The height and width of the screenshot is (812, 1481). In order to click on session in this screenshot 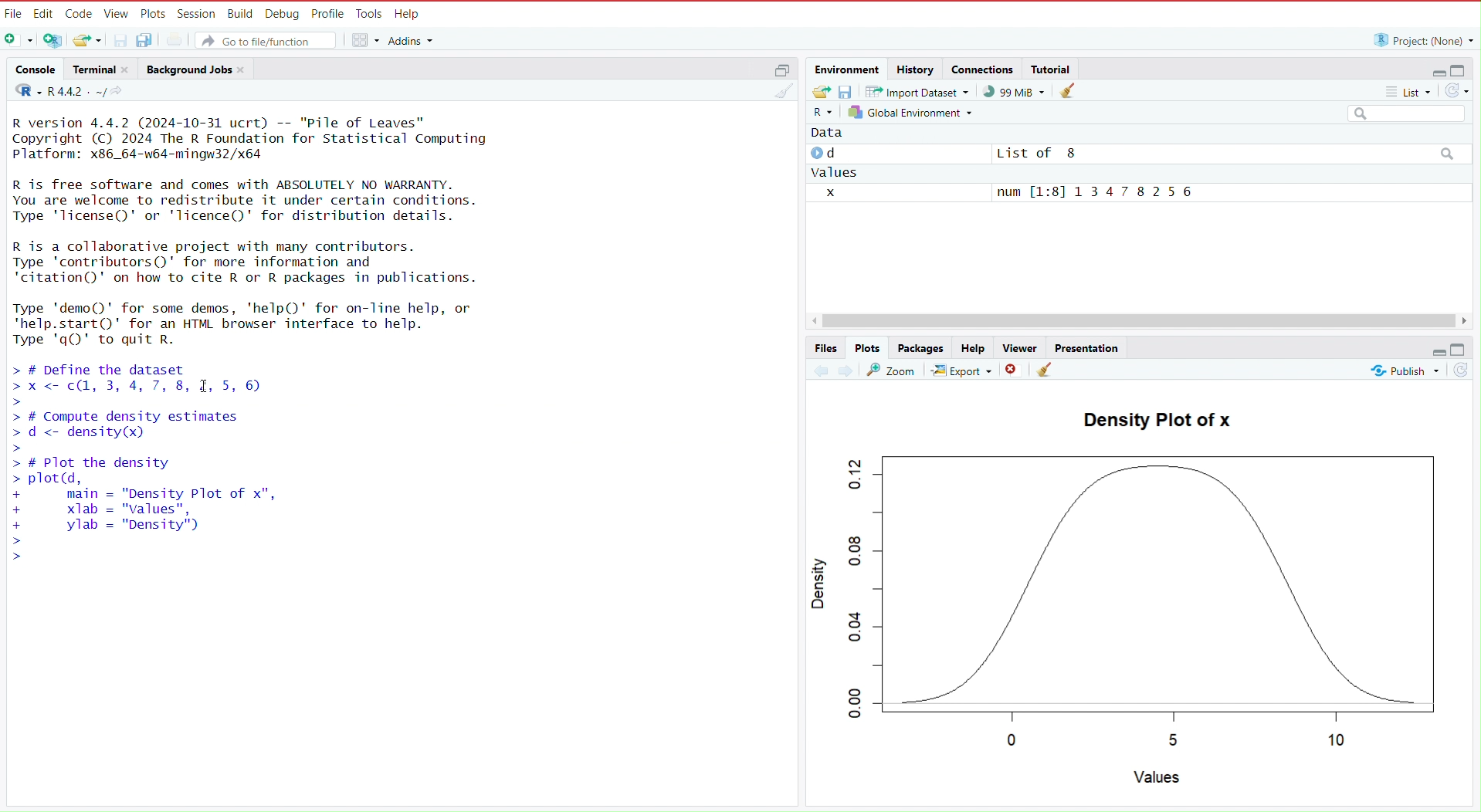, I will do `click(198, 11)`.